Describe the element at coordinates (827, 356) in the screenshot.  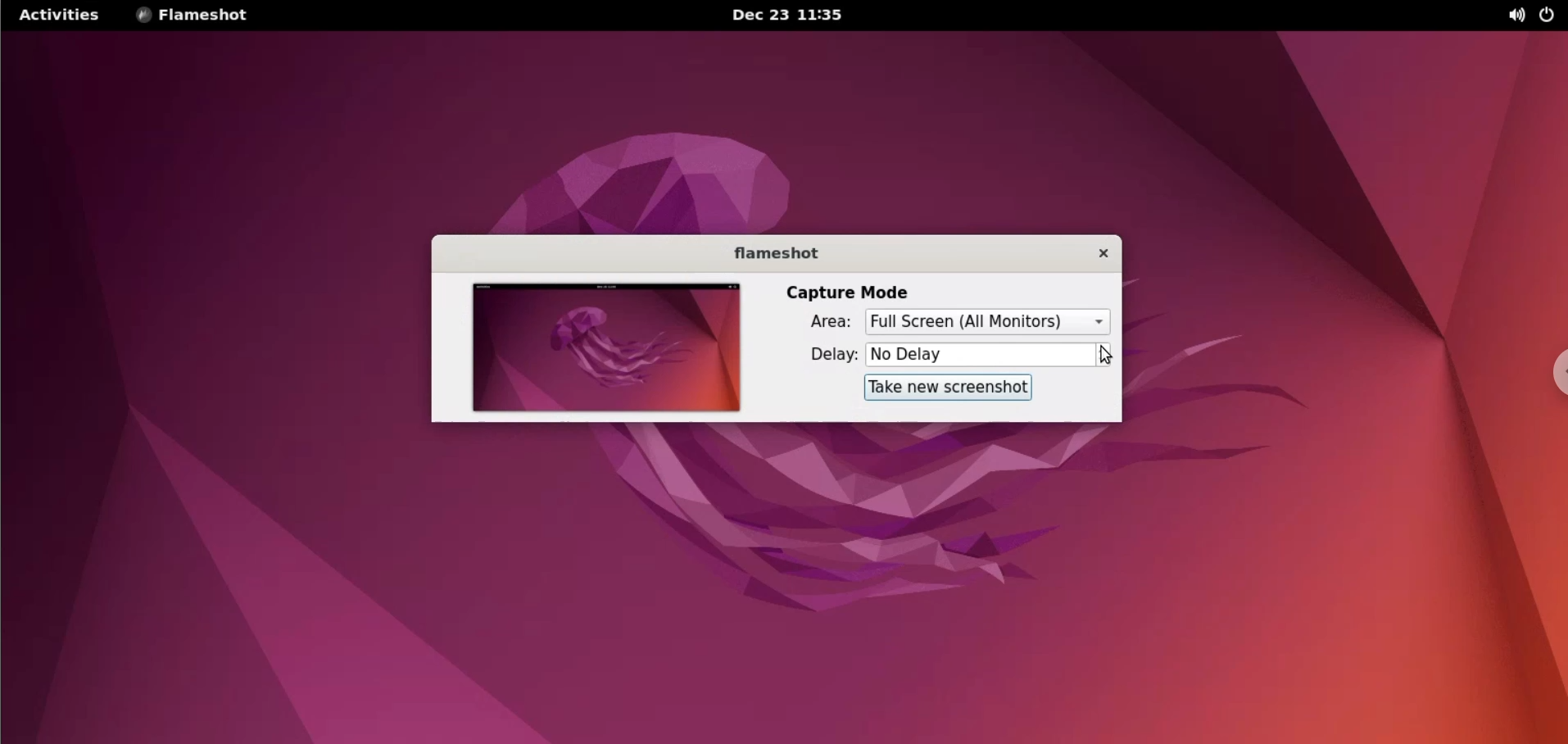
I see `delay:` at that location.